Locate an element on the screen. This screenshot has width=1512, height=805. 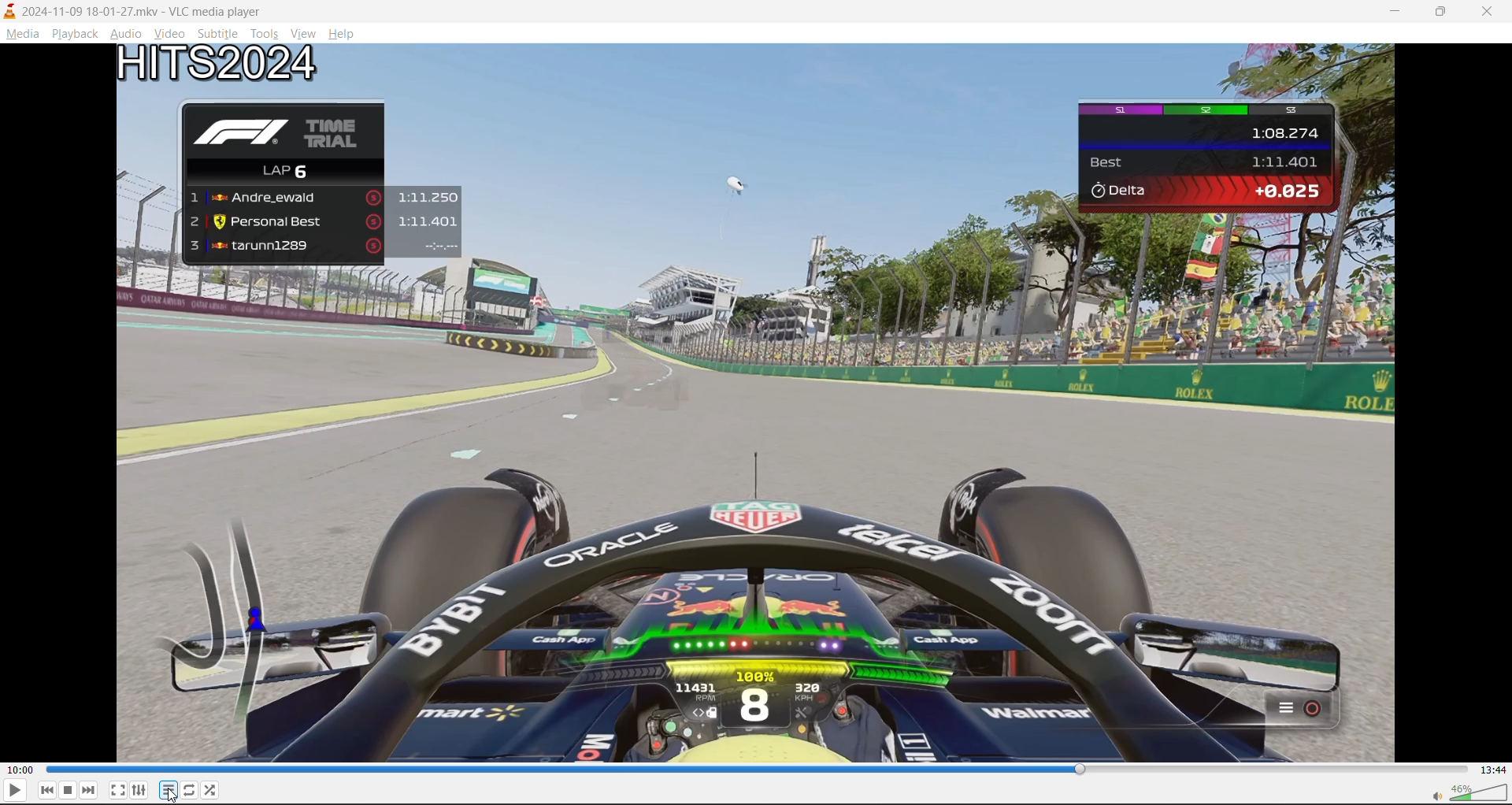
next is located at coordinates (88, 791).